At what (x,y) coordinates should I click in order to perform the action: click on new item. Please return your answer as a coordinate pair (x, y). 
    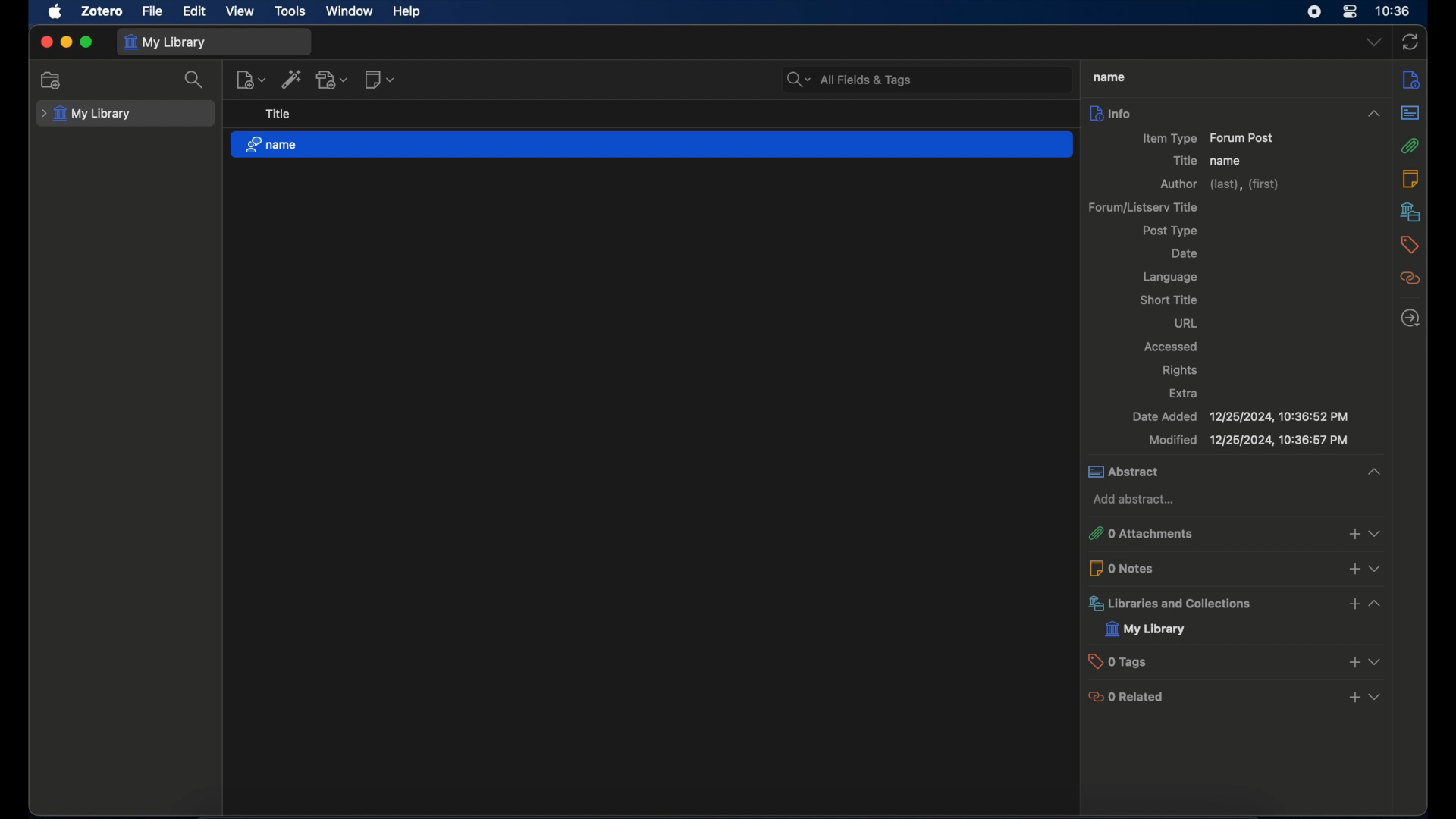
    Looking at the image, I should click on (251, 80).